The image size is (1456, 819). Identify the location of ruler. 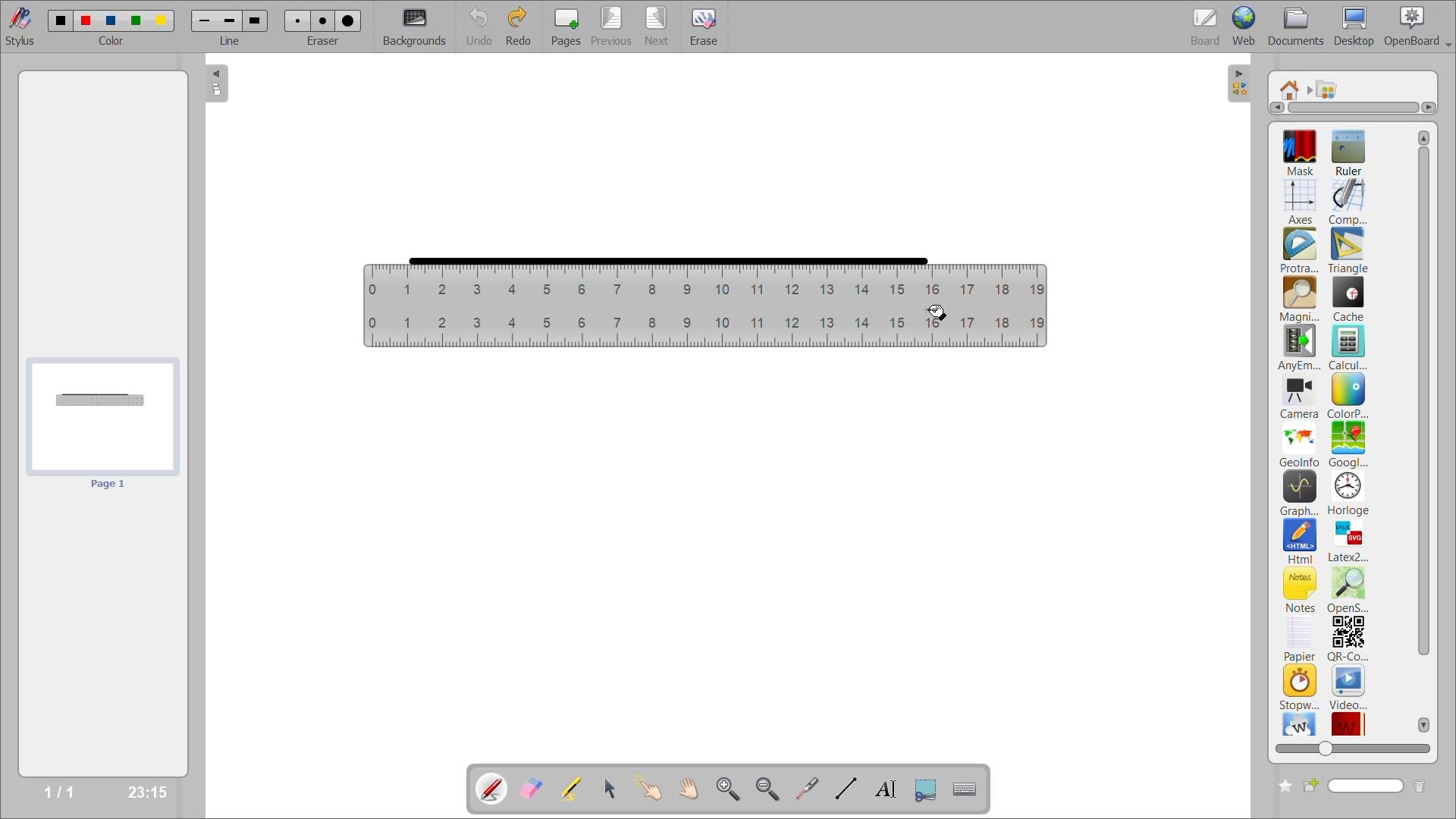
(1347, 151).